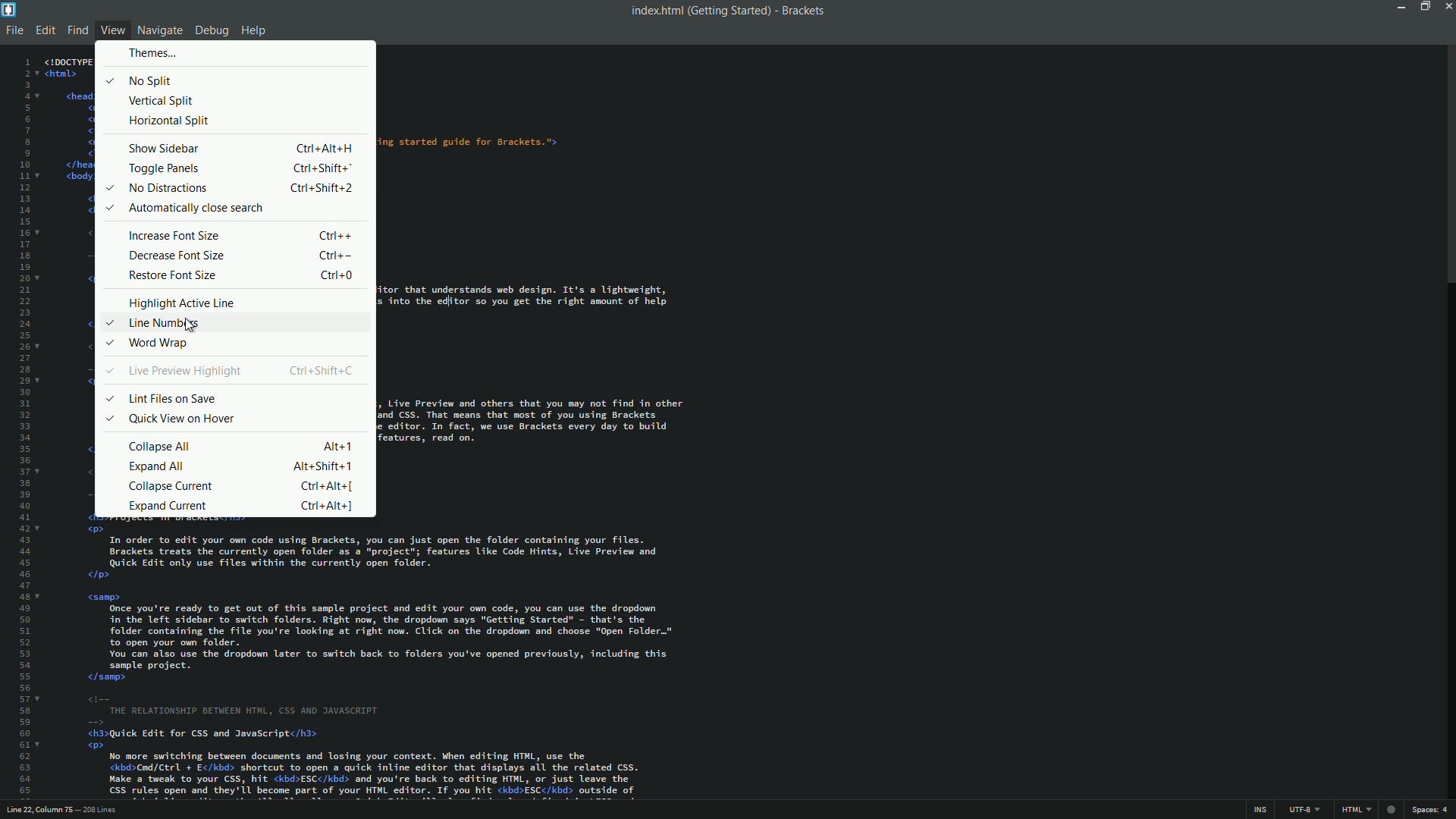 The image size is (1456, 819). I want to click on edit, so click(45, 30).